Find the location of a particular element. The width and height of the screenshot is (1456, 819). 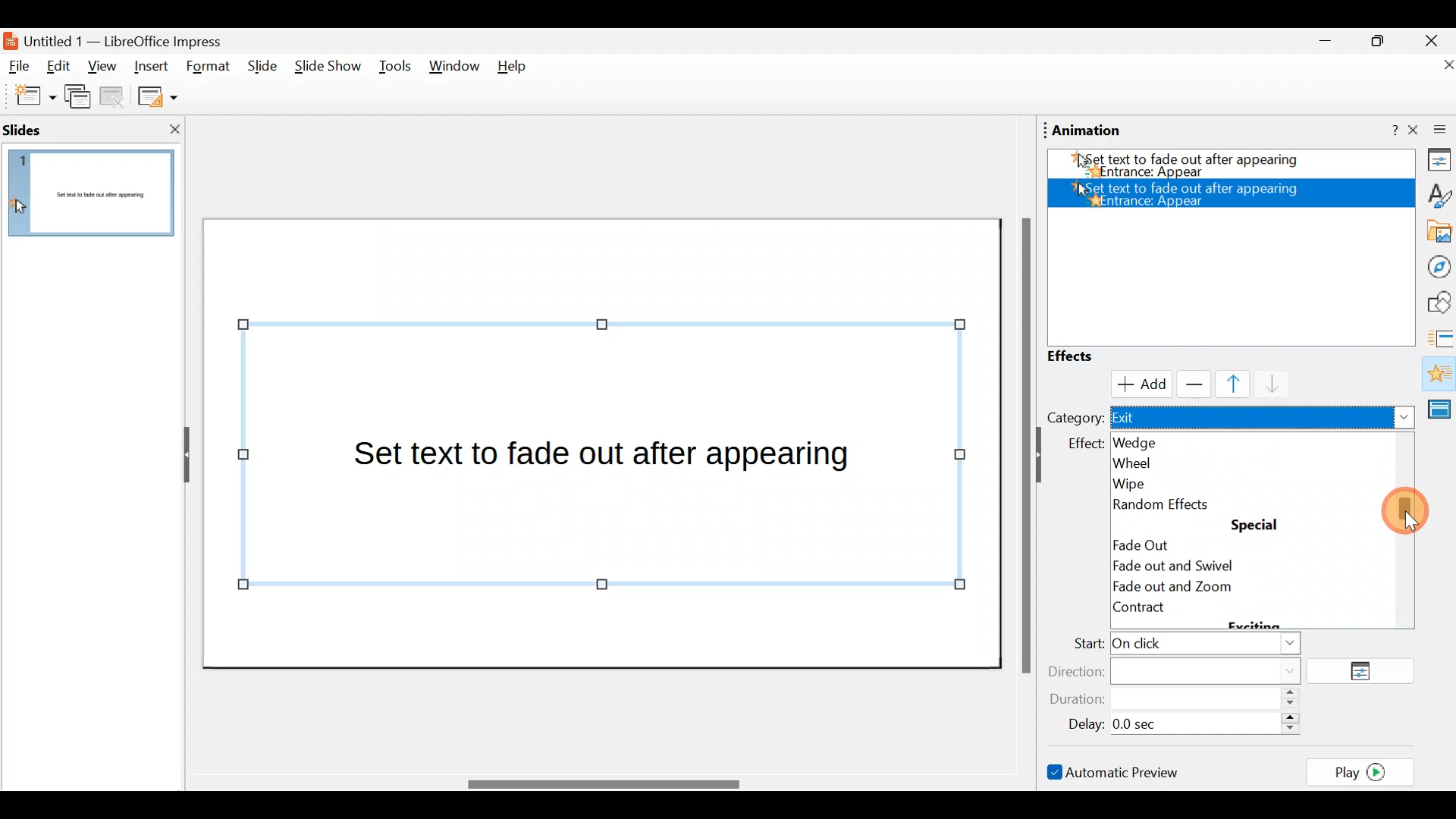

Appear effect added is located at coordinates (1225, 167).